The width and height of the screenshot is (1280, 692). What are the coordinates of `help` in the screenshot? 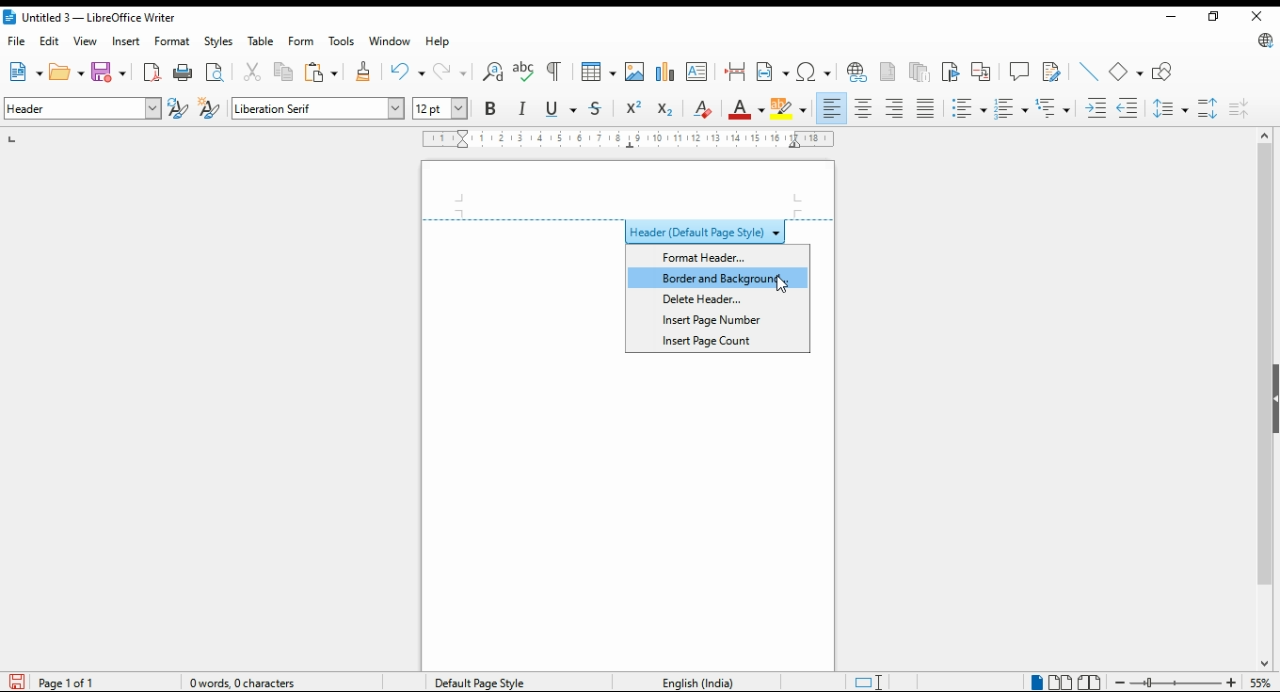 It's located at (439, 41).